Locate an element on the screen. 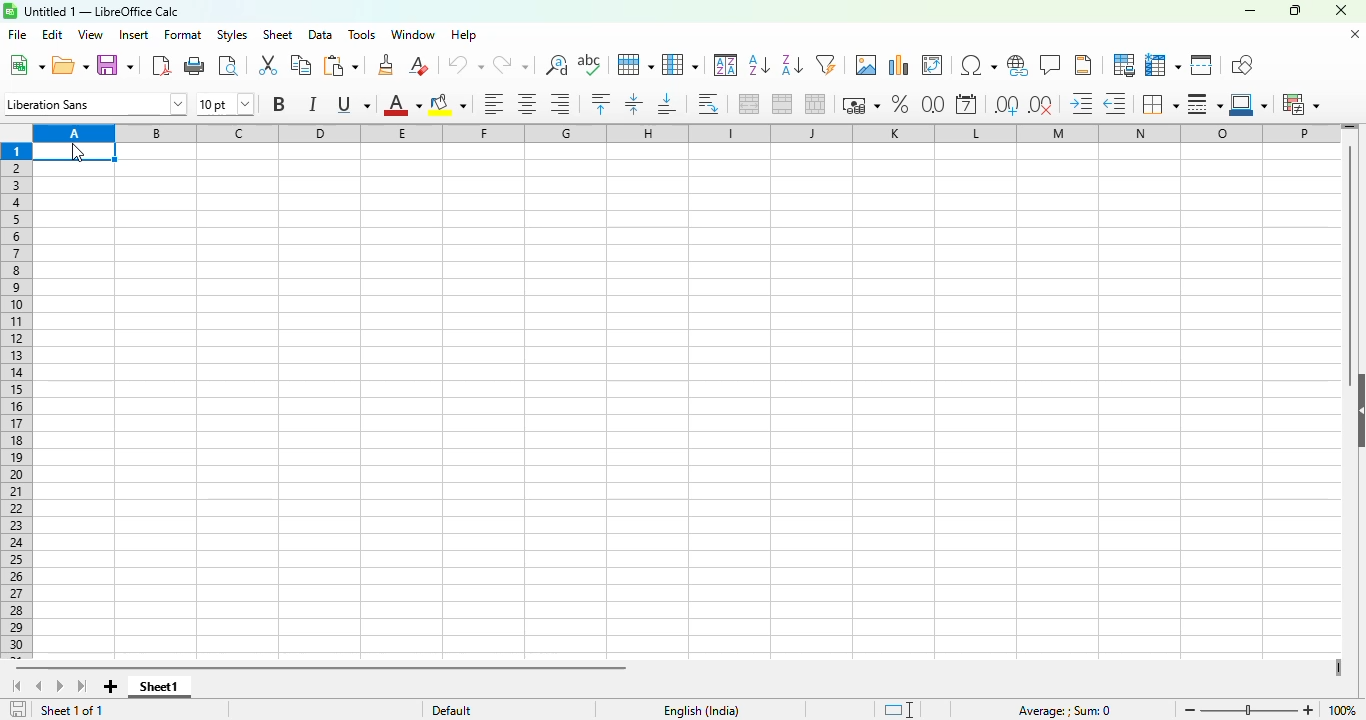 The image size is (1366, 720). view is located at coordinates (91, 34).